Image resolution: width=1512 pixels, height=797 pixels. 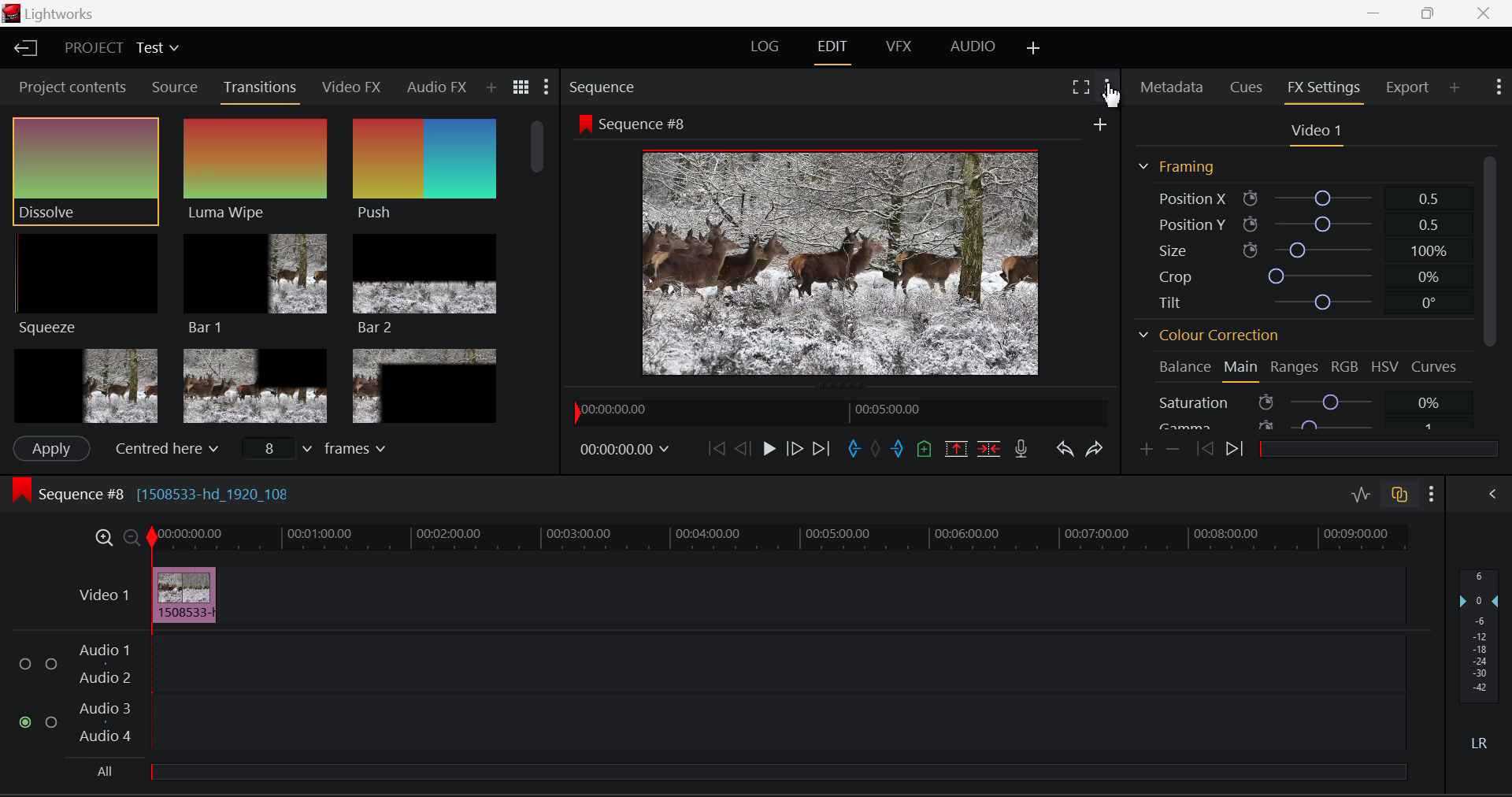 I want to click on Decibel Level, so click(x=1480, y=654).